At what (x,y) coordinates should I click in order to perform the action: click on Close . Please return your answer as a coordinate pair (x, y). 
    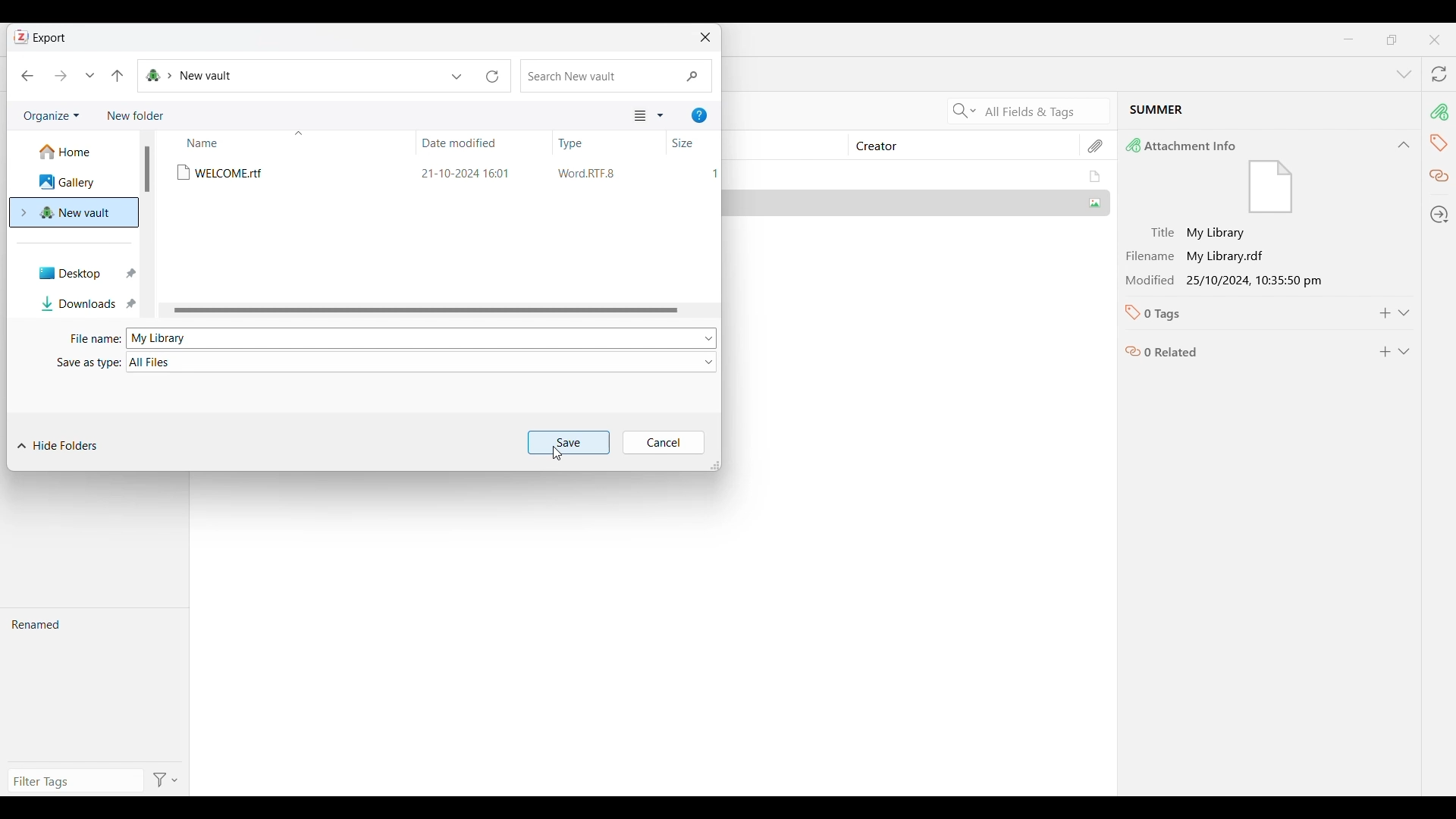
    Looking at the image, I should click on (705, 37).